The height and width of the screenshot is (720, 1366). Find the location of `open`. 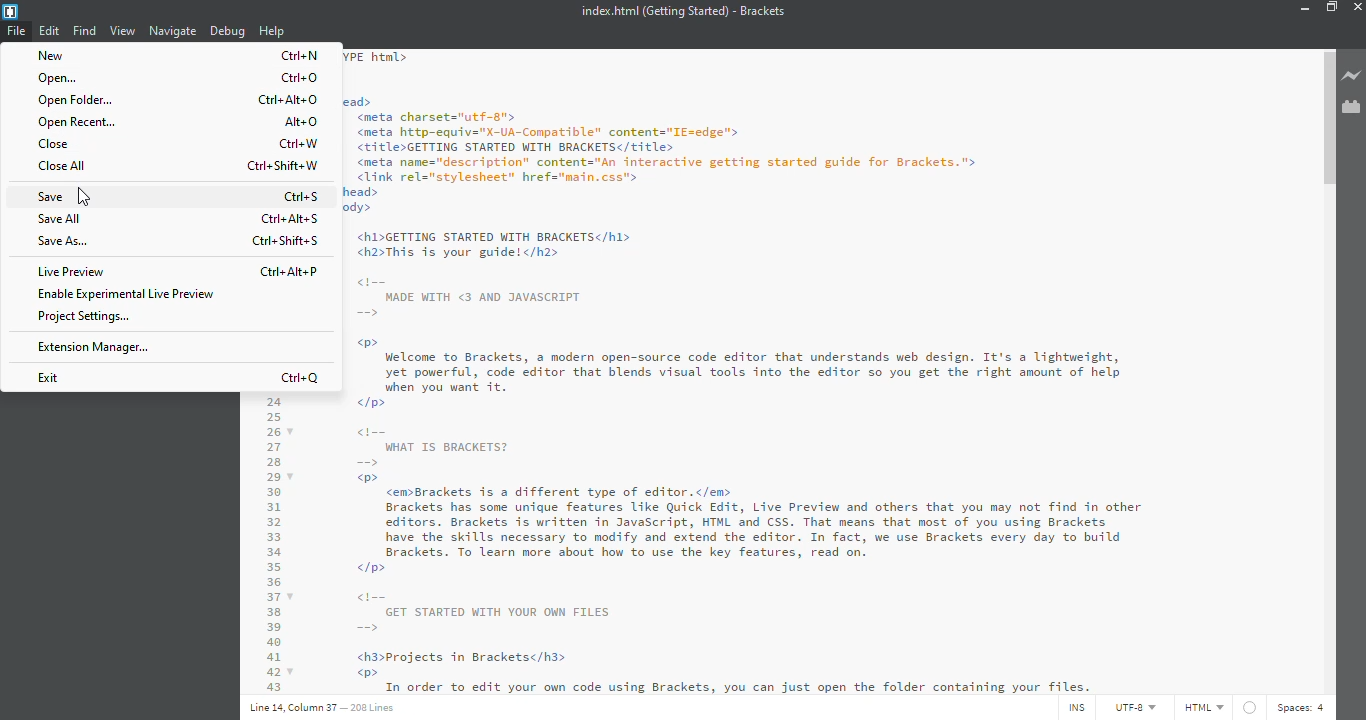

open is located at coordinates (64, 78).